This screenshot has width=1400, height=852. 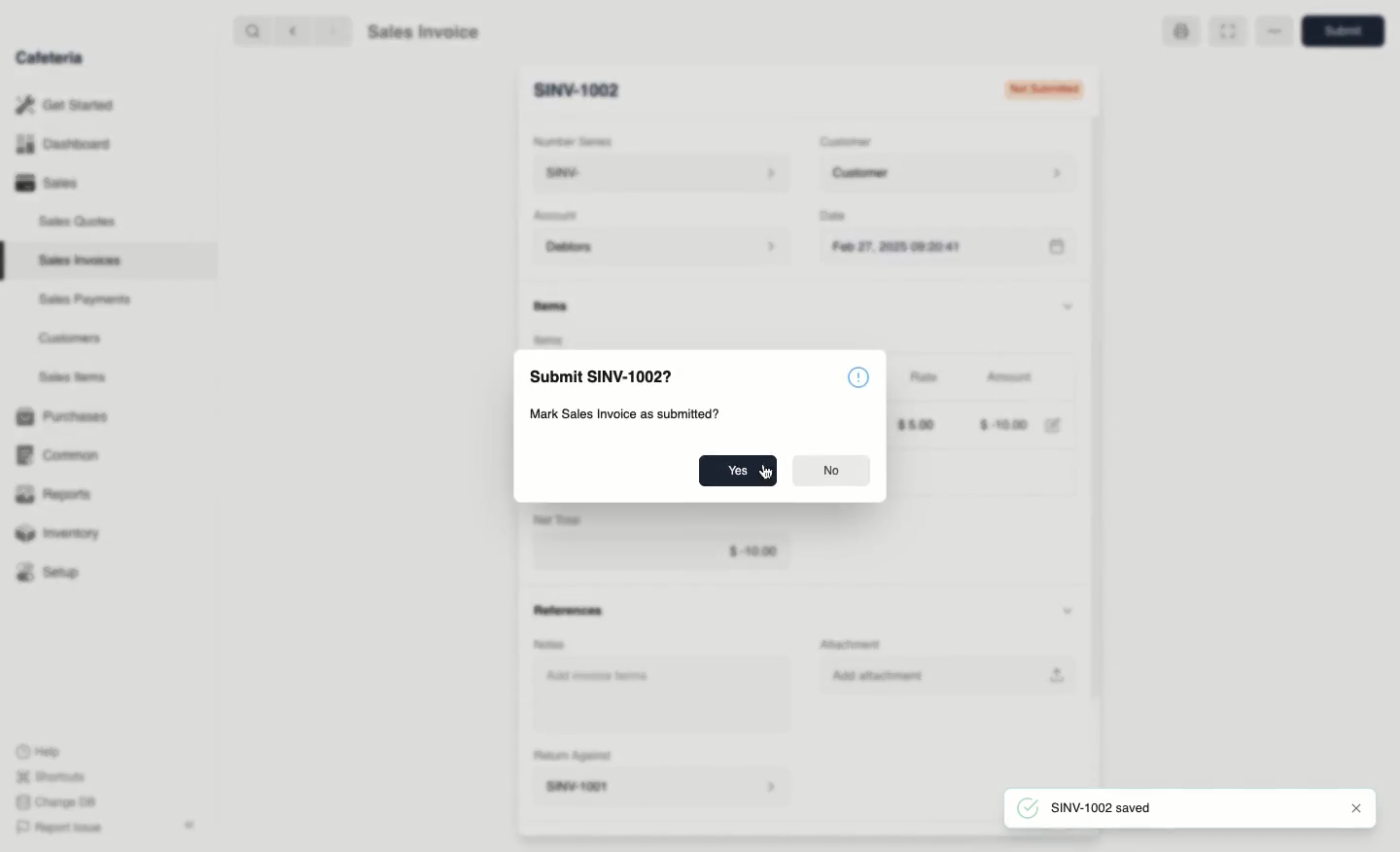 I want to click on Collapse, so click(x=192, y=825).